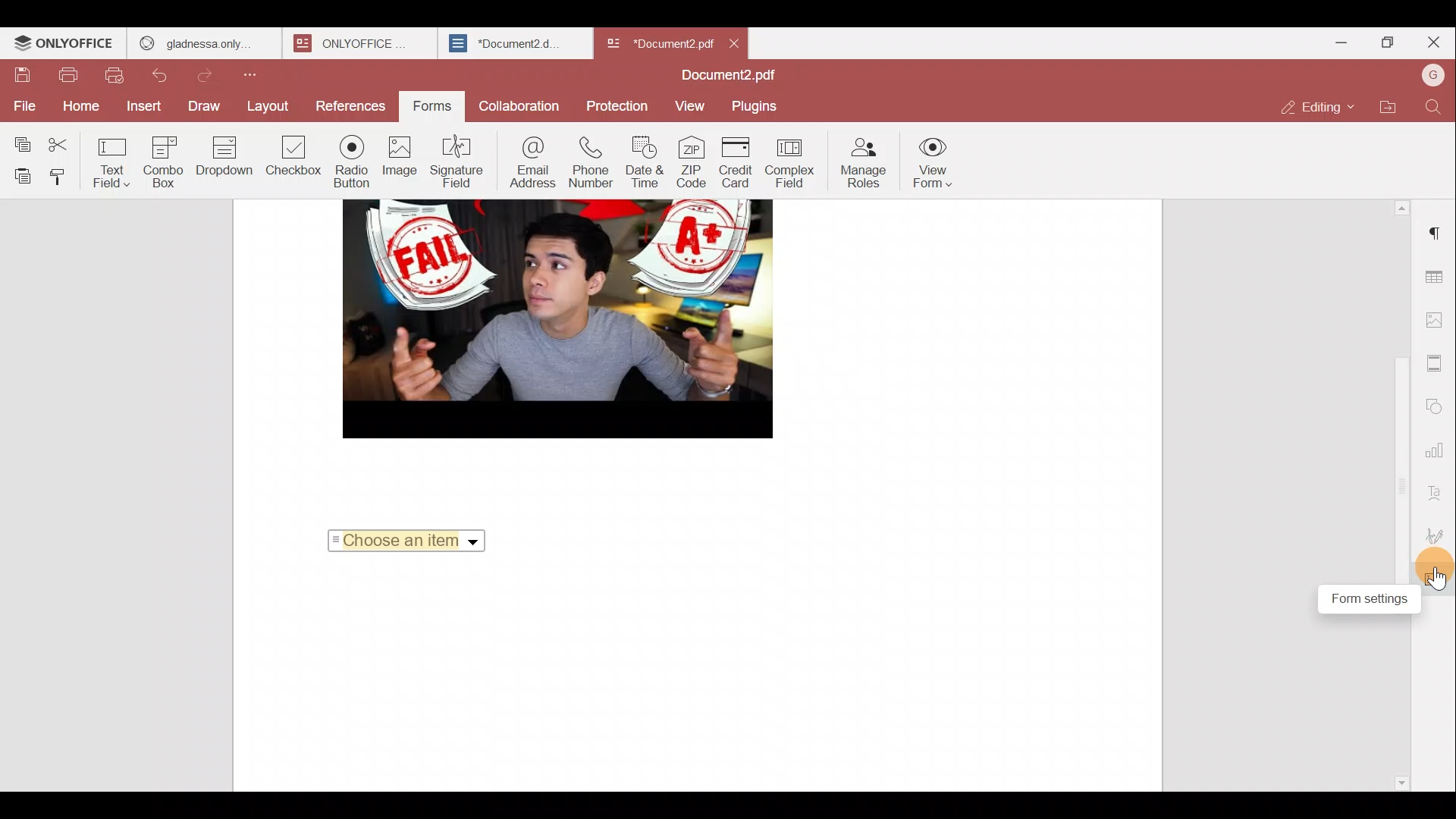  Describe the element at coordinates (658, 42) in the screenshot. I see `*Document2 pdf` at that location.